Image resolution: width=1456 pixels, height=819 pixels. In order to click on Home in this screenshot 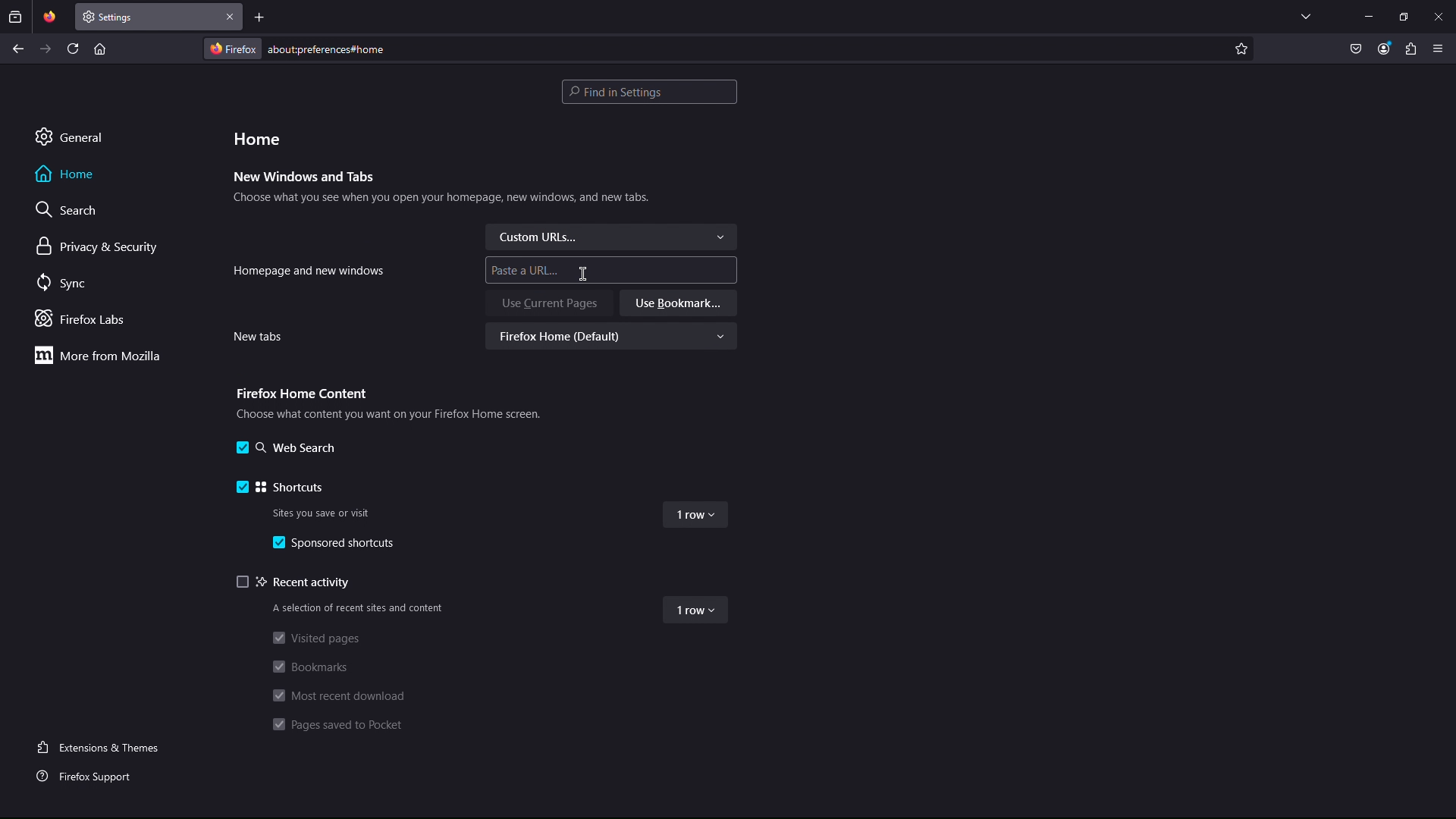, I will do `click(66, 174)`.